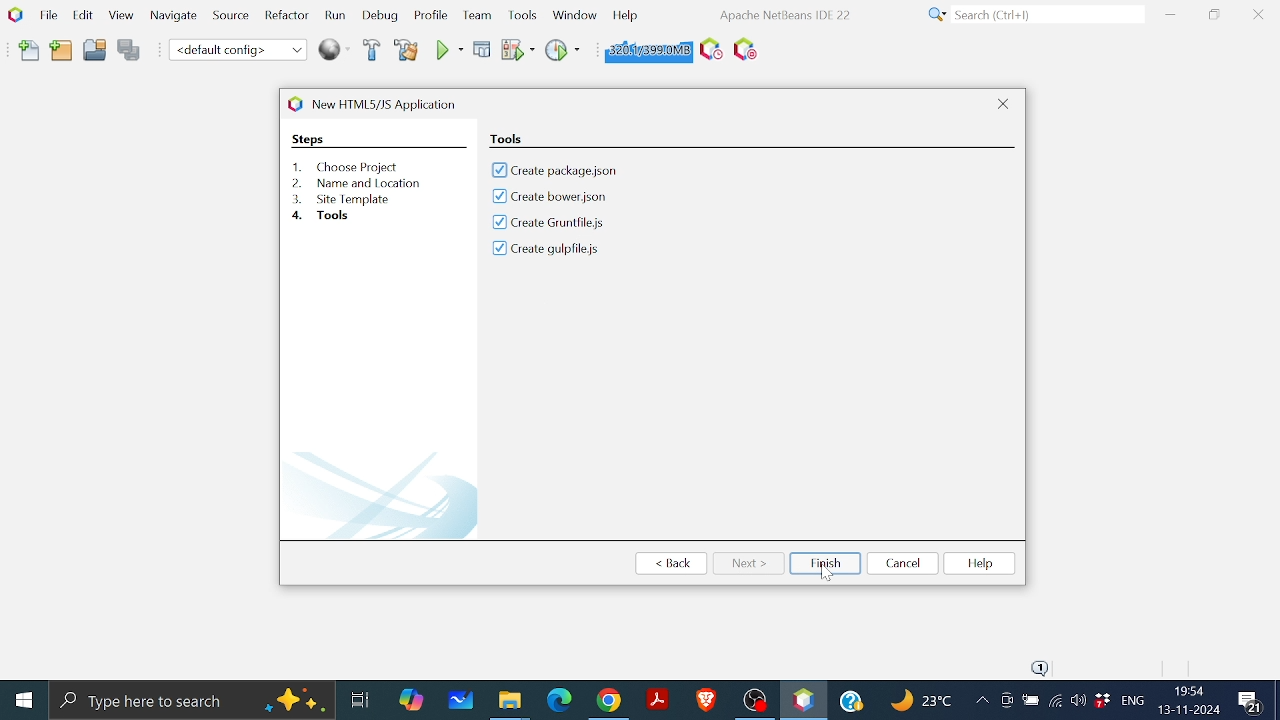 The height and width of the screenshot is (720, 1280). What do you see at coordinates (783, 14) in the screenshot?
I see `software information` at bounding box center [783, 14].